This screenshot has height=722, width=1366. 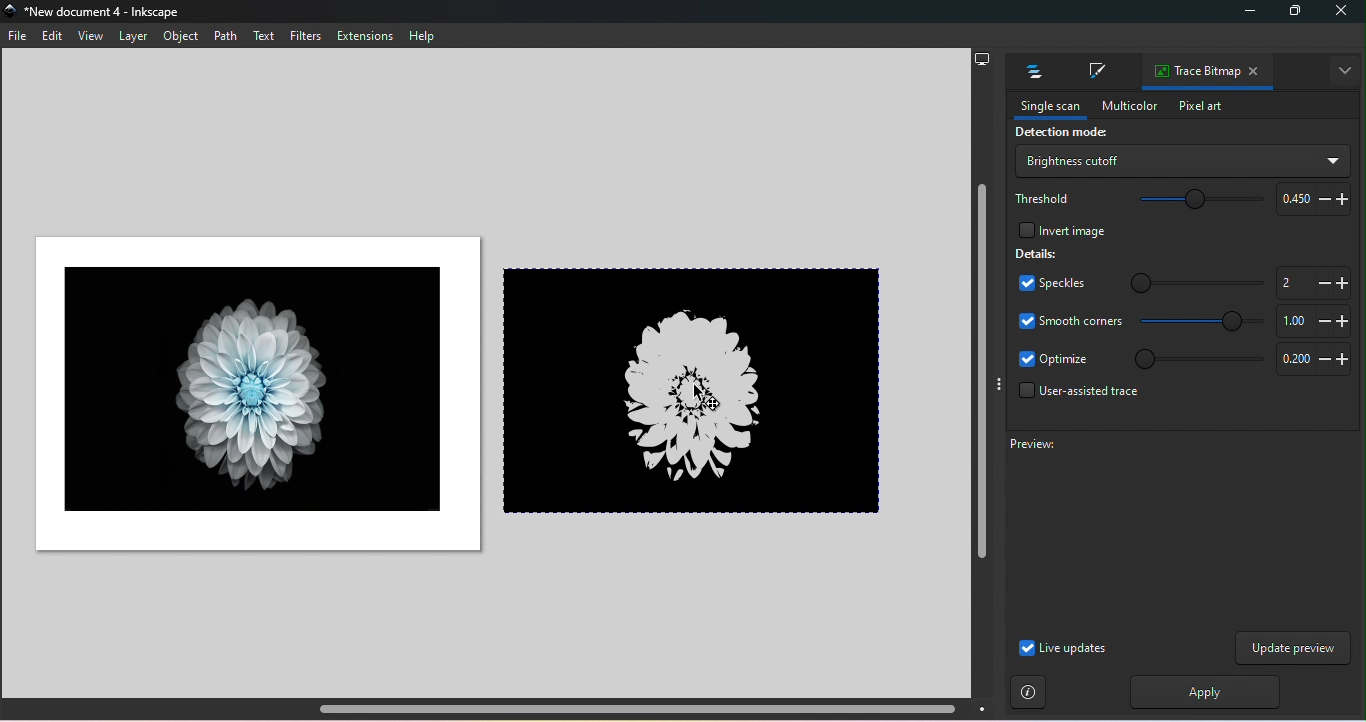 What do you see at coordinates (251, 394) in the screenshot?
I see `Canvas` at bounding box center [251, 394].